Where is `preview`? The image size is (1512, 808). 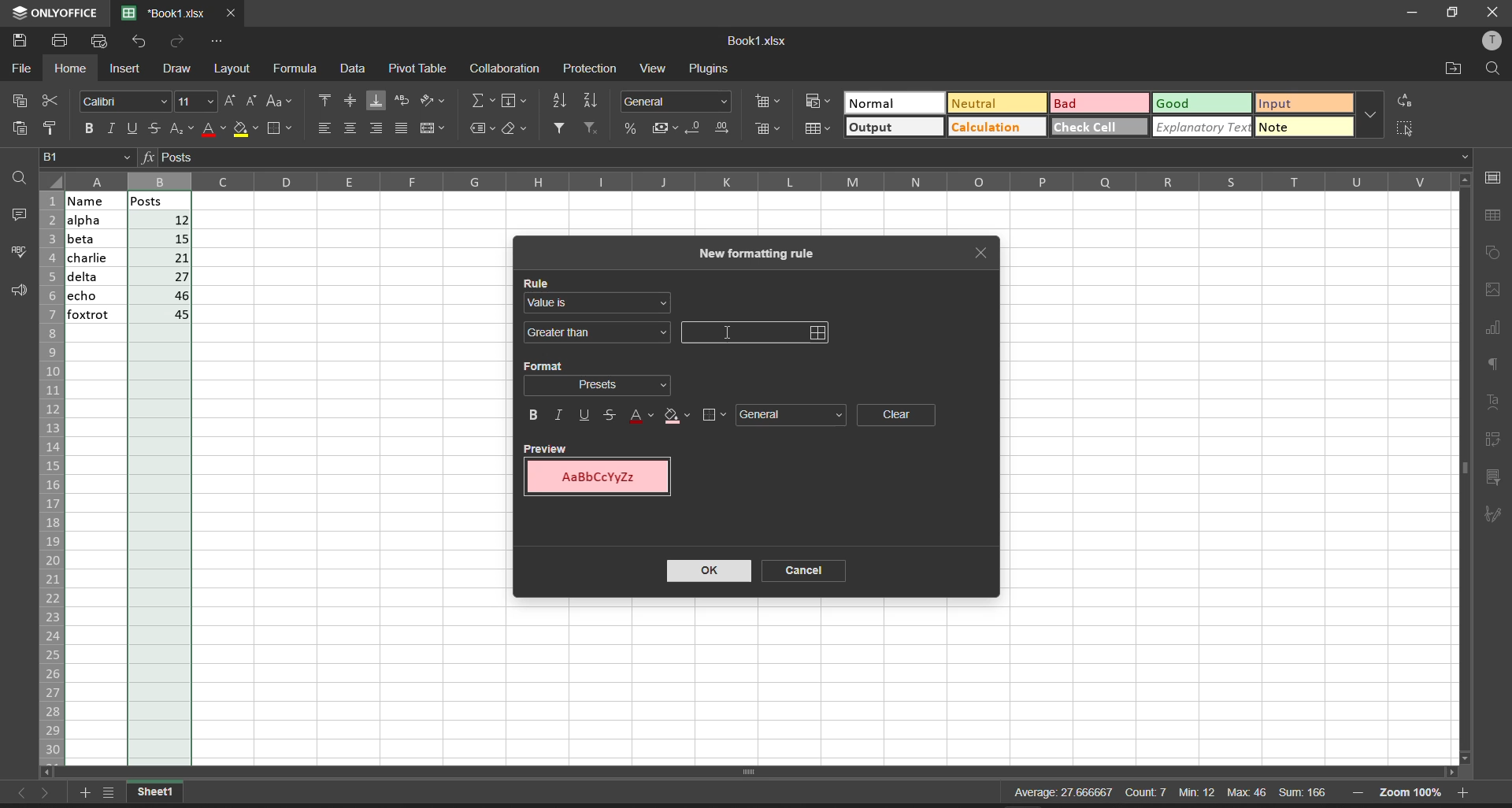
preview is located at coordinates (602, 472).